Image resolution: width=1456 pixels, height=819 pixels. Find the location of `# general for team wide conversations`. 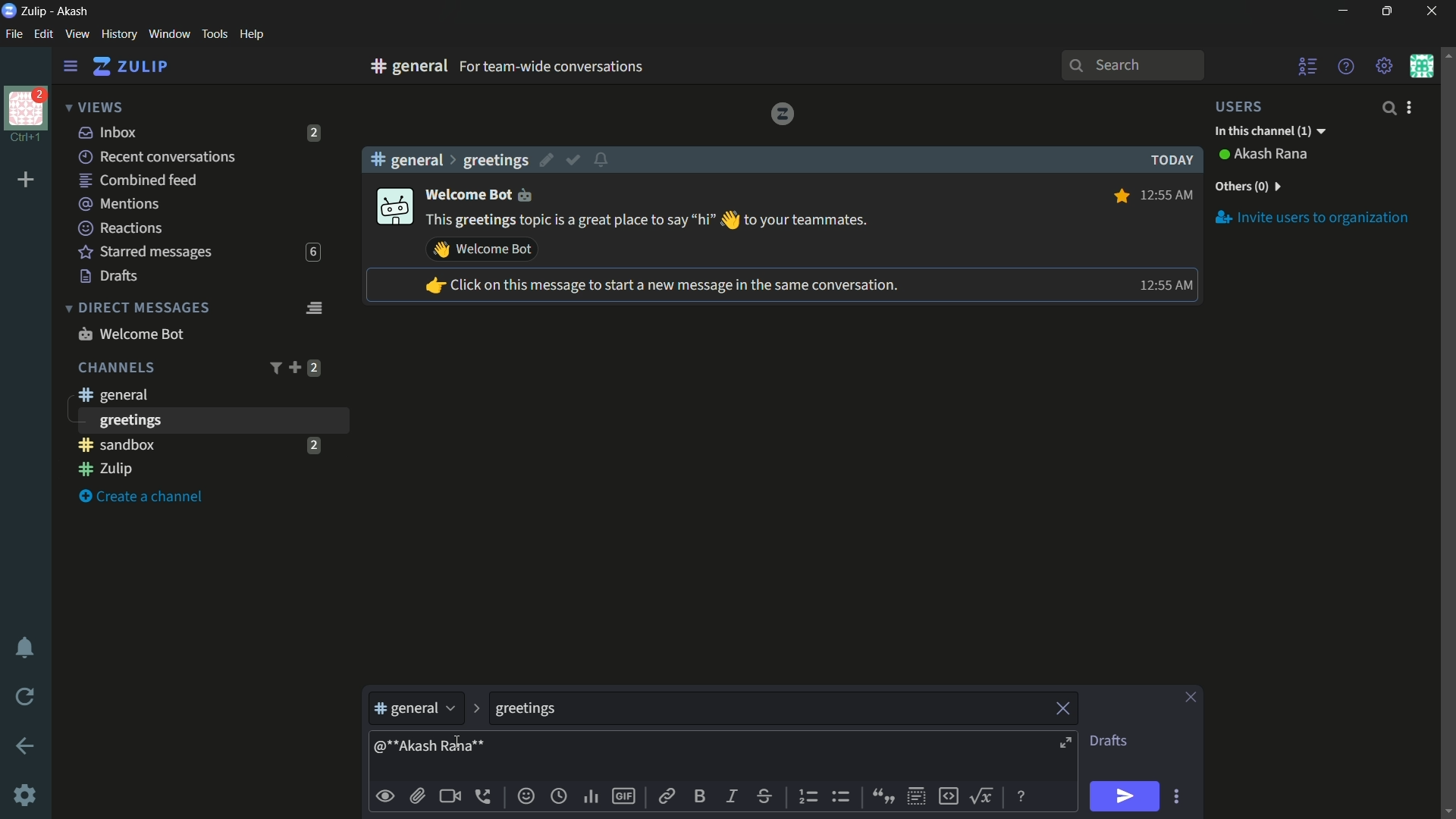

# general for team wide conversations is located at coordinates (578, 66).